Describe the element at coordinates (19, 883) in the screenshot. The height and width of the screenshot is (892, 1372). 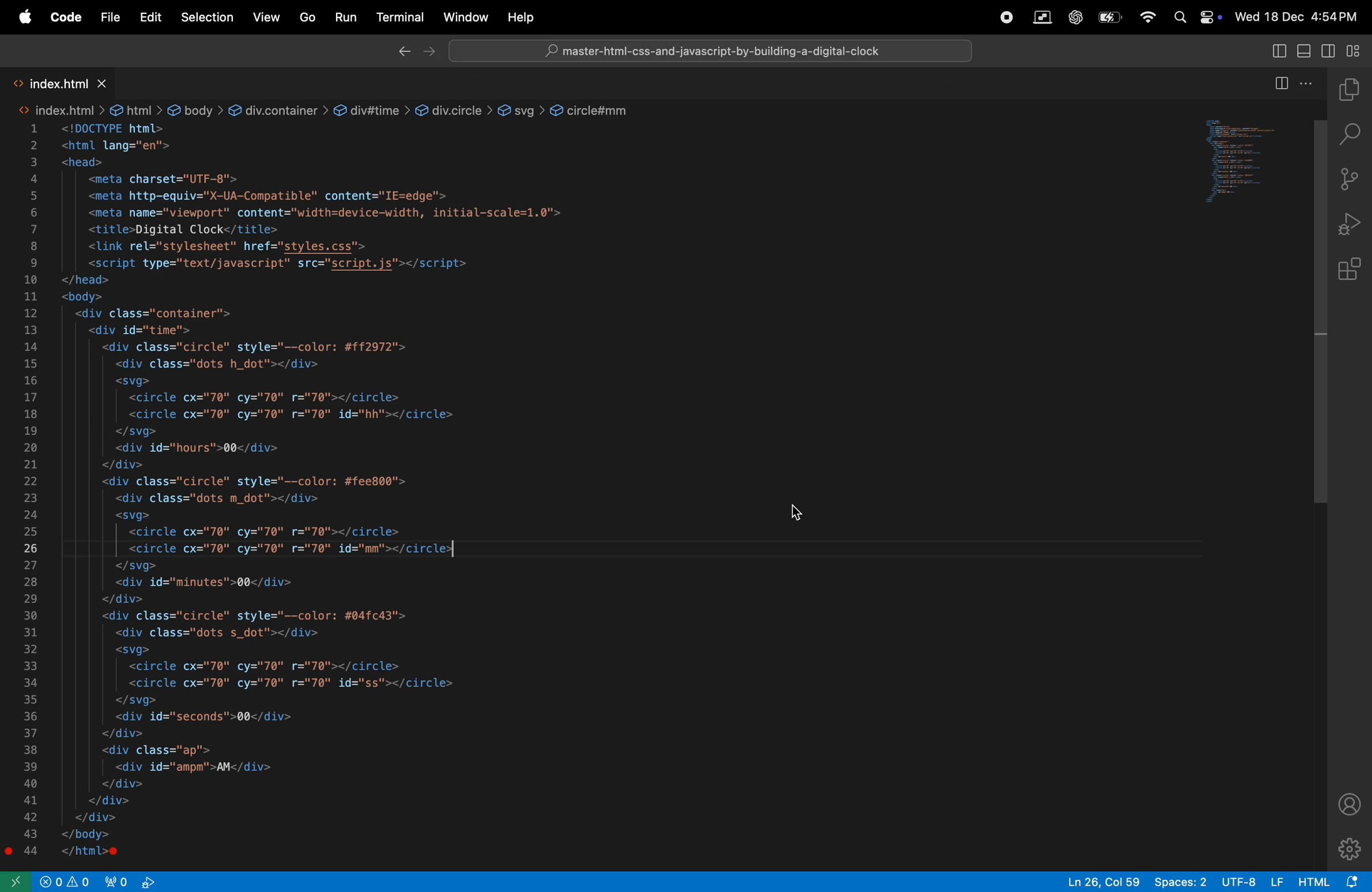
I see `open remote window` at that location.